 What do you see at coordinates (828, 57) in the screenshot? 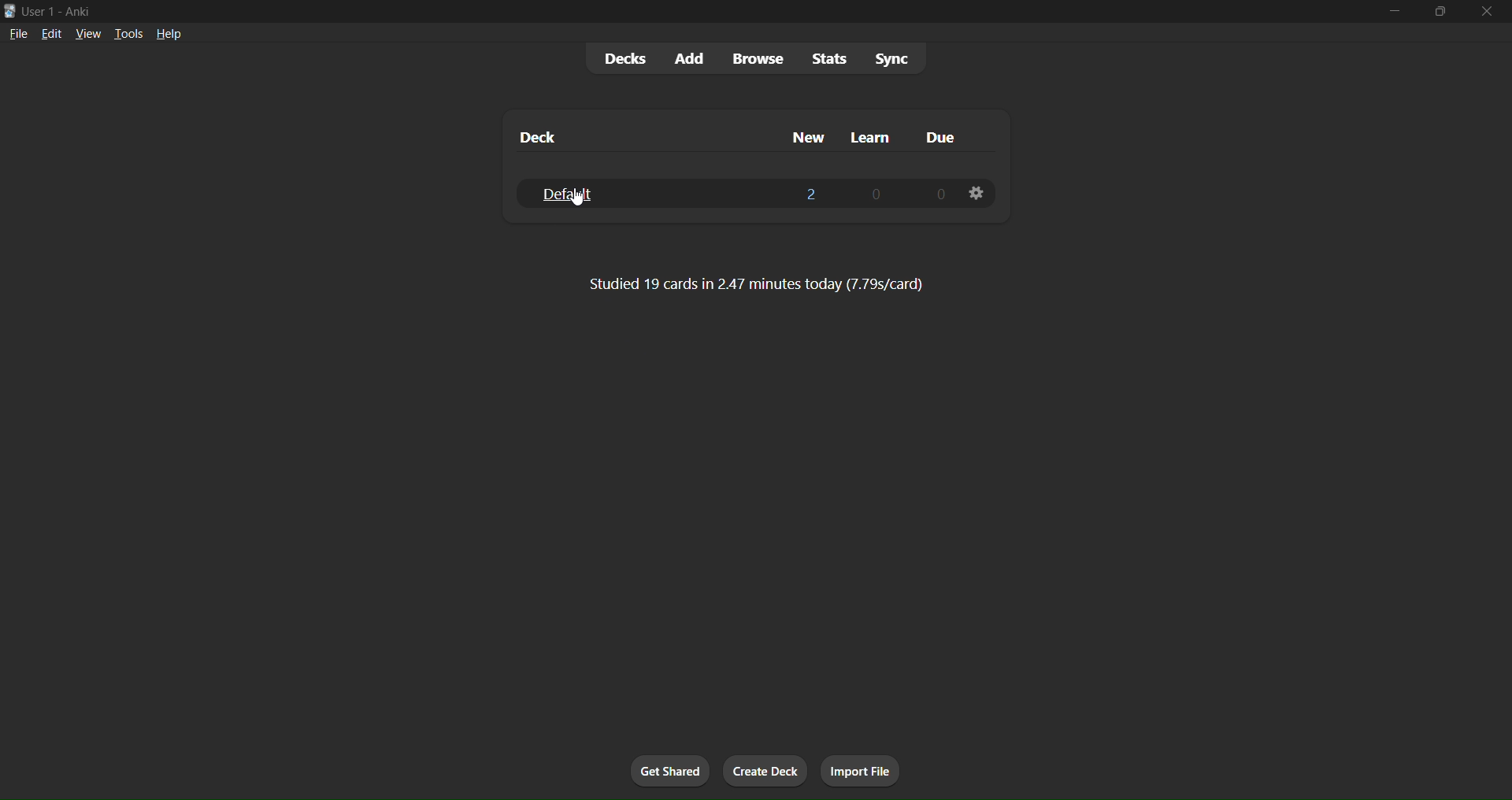
I see `stats` at bounding box center [828, 57].